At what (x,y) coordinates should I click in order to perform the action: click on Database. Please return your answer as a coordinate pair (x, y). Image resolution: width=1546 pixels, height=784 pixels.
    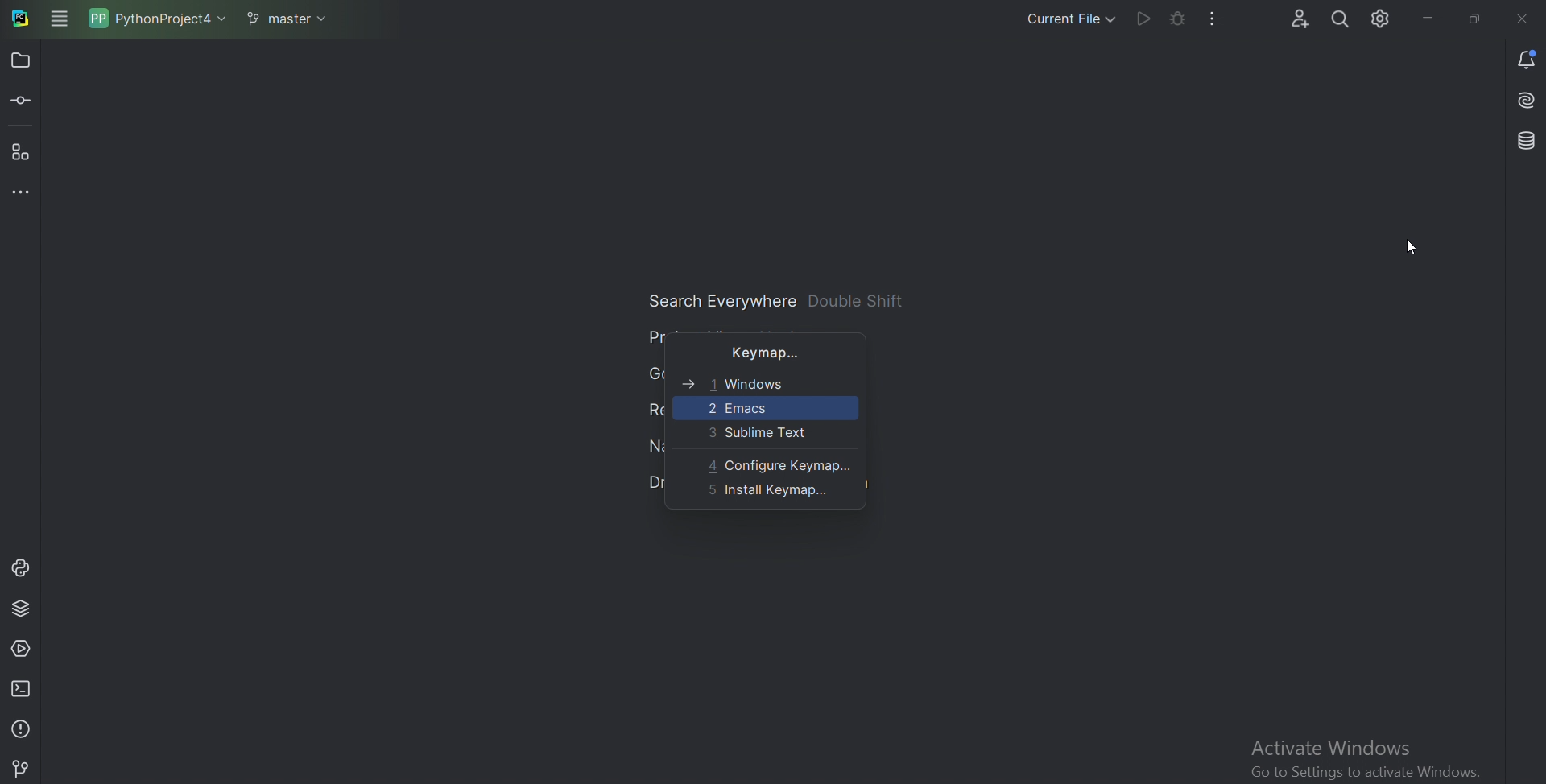
    Looking at the image, I should click on (1527, 138).